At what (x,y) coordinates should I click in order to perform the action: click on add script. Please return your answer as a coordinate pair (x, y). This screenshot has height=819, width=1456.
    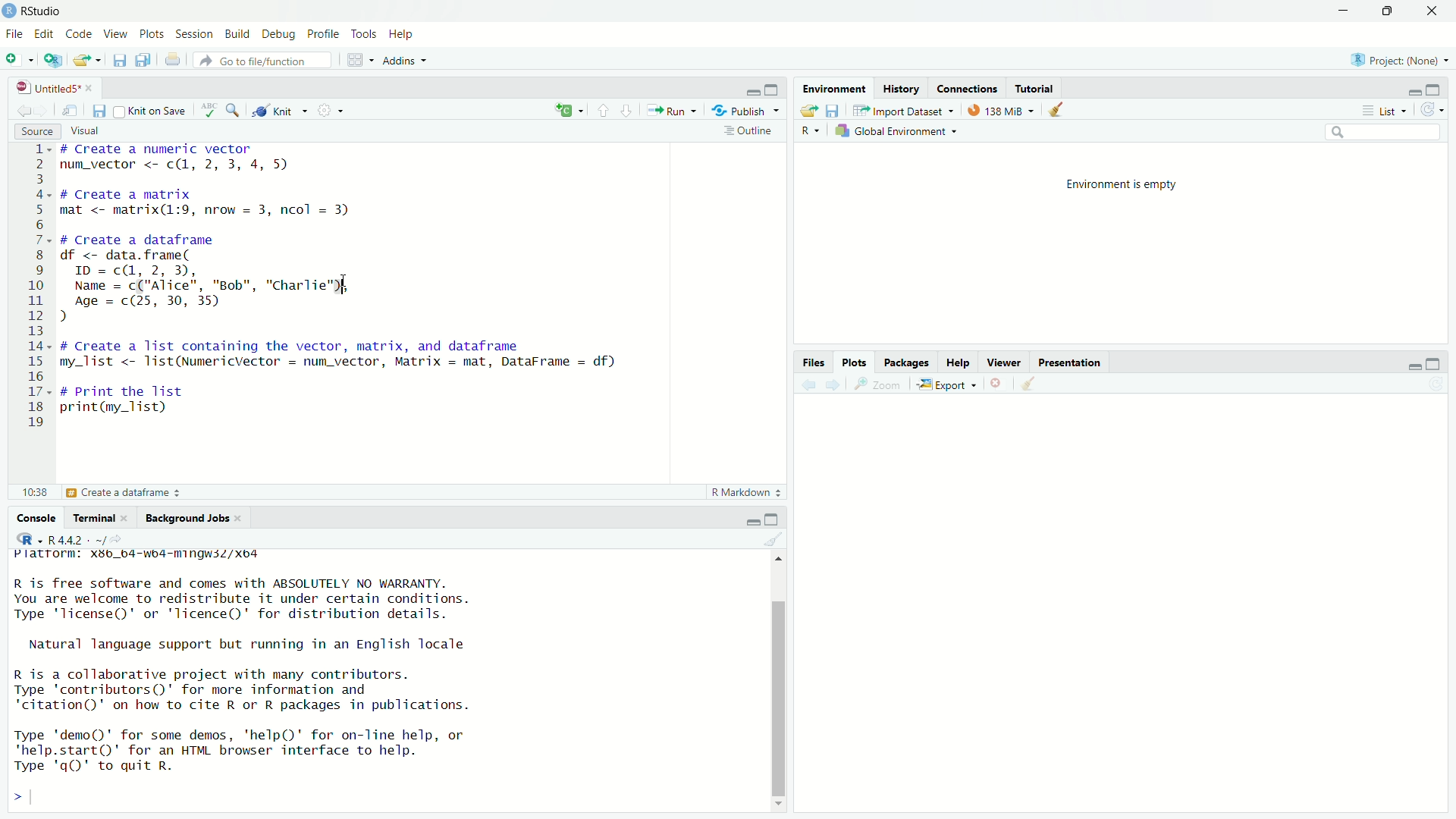
    Looking at the image, I should click on (53, 62).